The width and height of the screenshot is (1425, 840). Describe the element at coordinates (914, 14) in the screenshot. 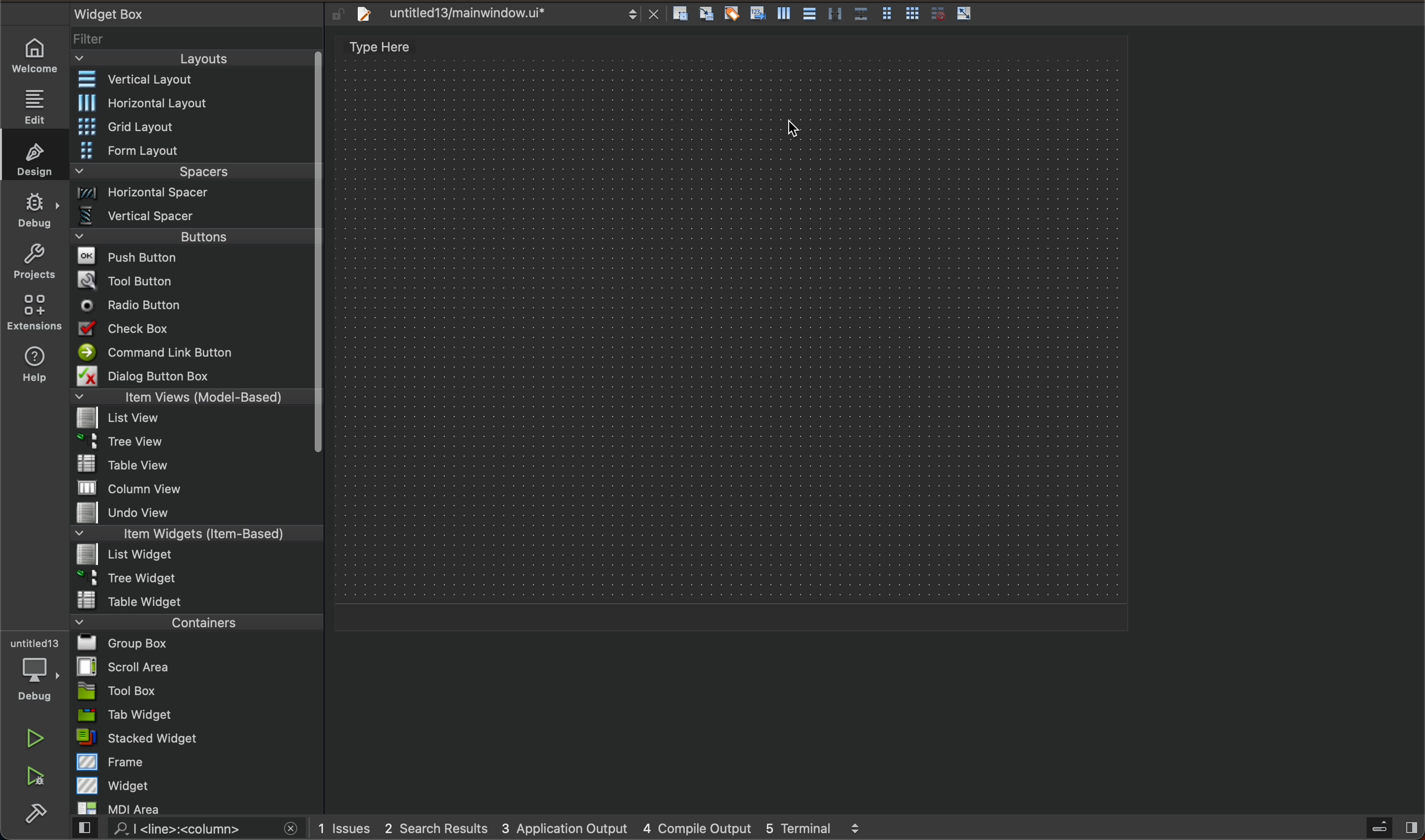

I see `` at that location.